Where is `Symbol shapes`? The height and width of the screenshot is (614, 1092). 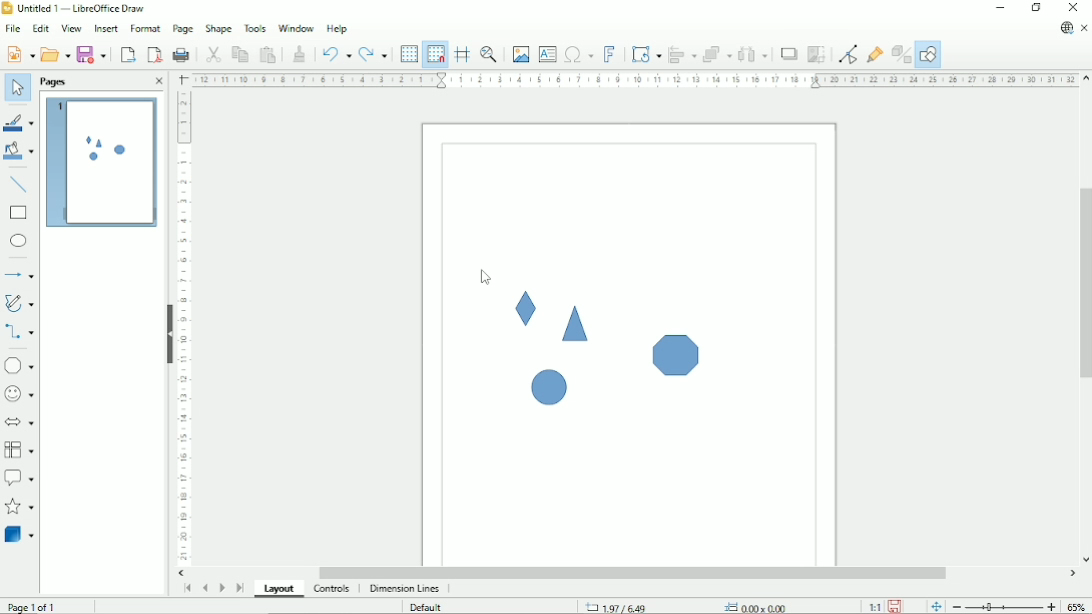
Symbol shapes is located at coordinates (19, 394).